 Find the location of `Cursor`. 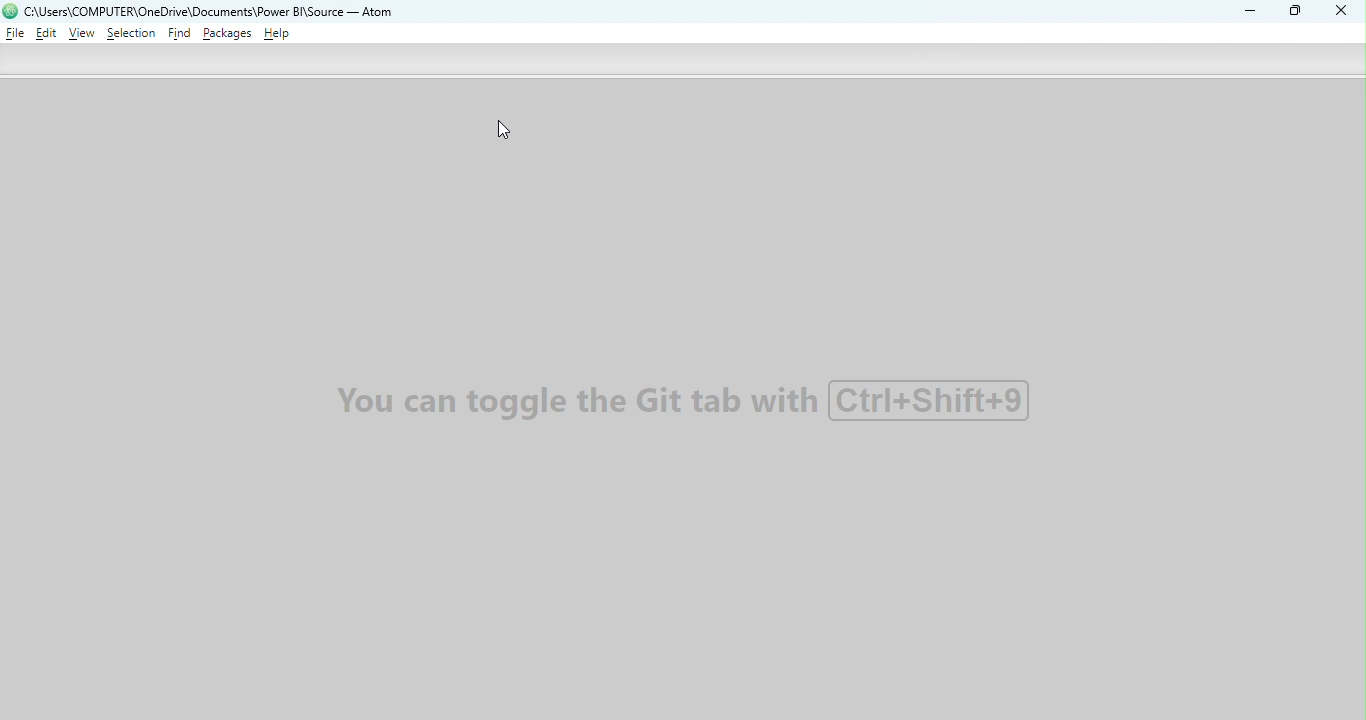

Cursor is located at coordinates (506, 131).